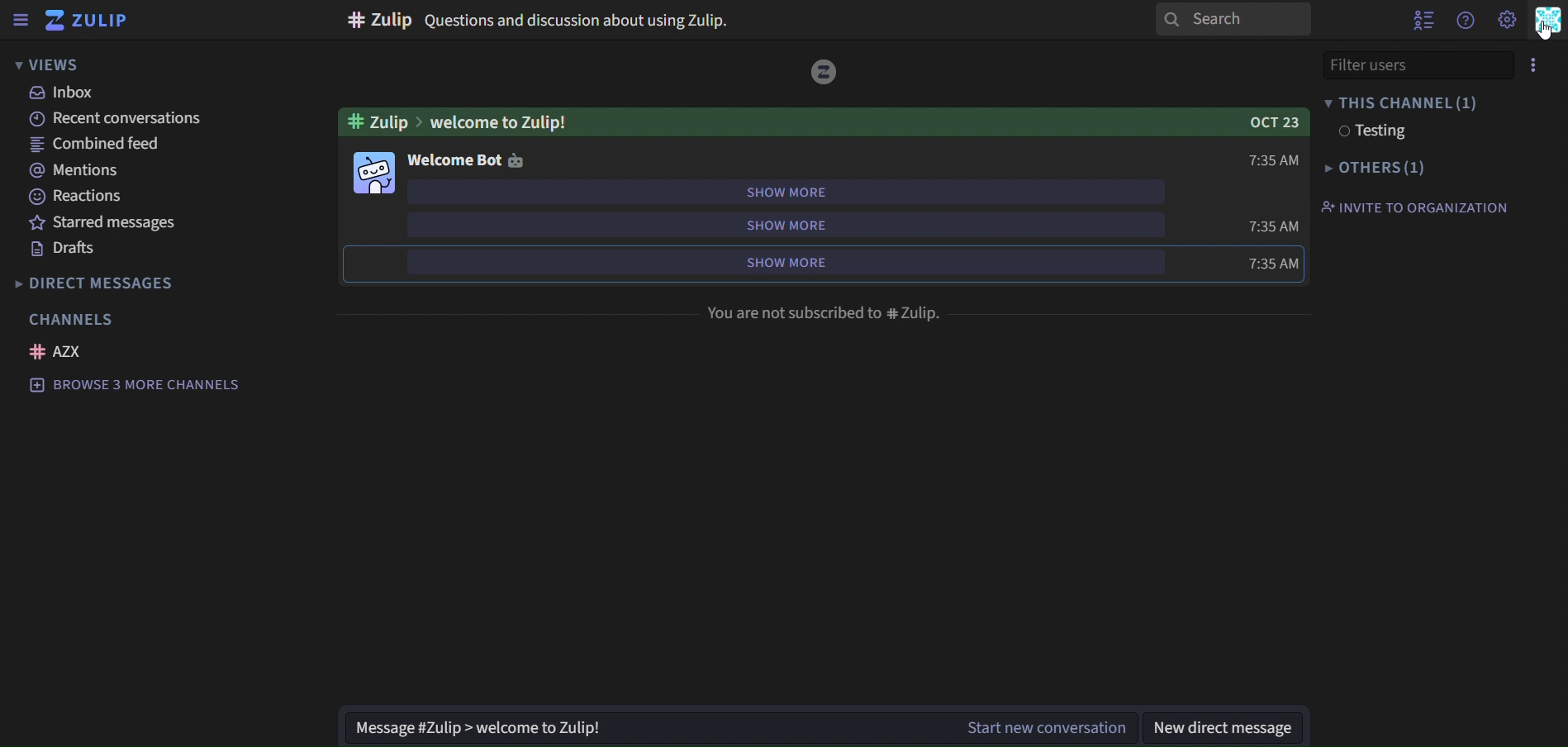 The height and width of the screenshot is (747, 1568). What do you see at coordinates (1266, 121) in the screenshot?
I see `OCT 23` at bounding box center [1266, 121].